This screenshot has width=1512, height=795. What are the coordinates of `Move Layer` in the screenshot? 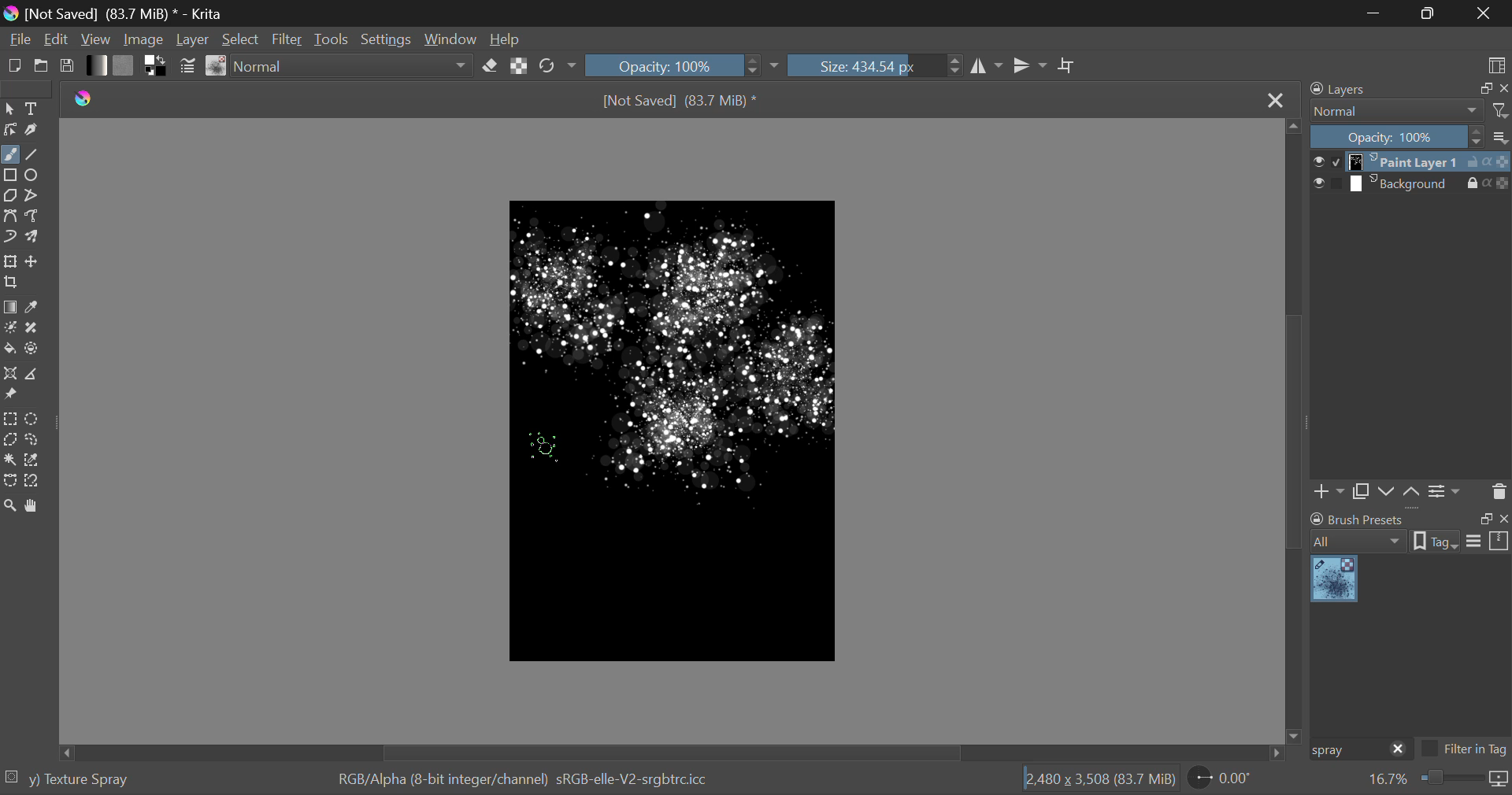 It's located at (32, 261).